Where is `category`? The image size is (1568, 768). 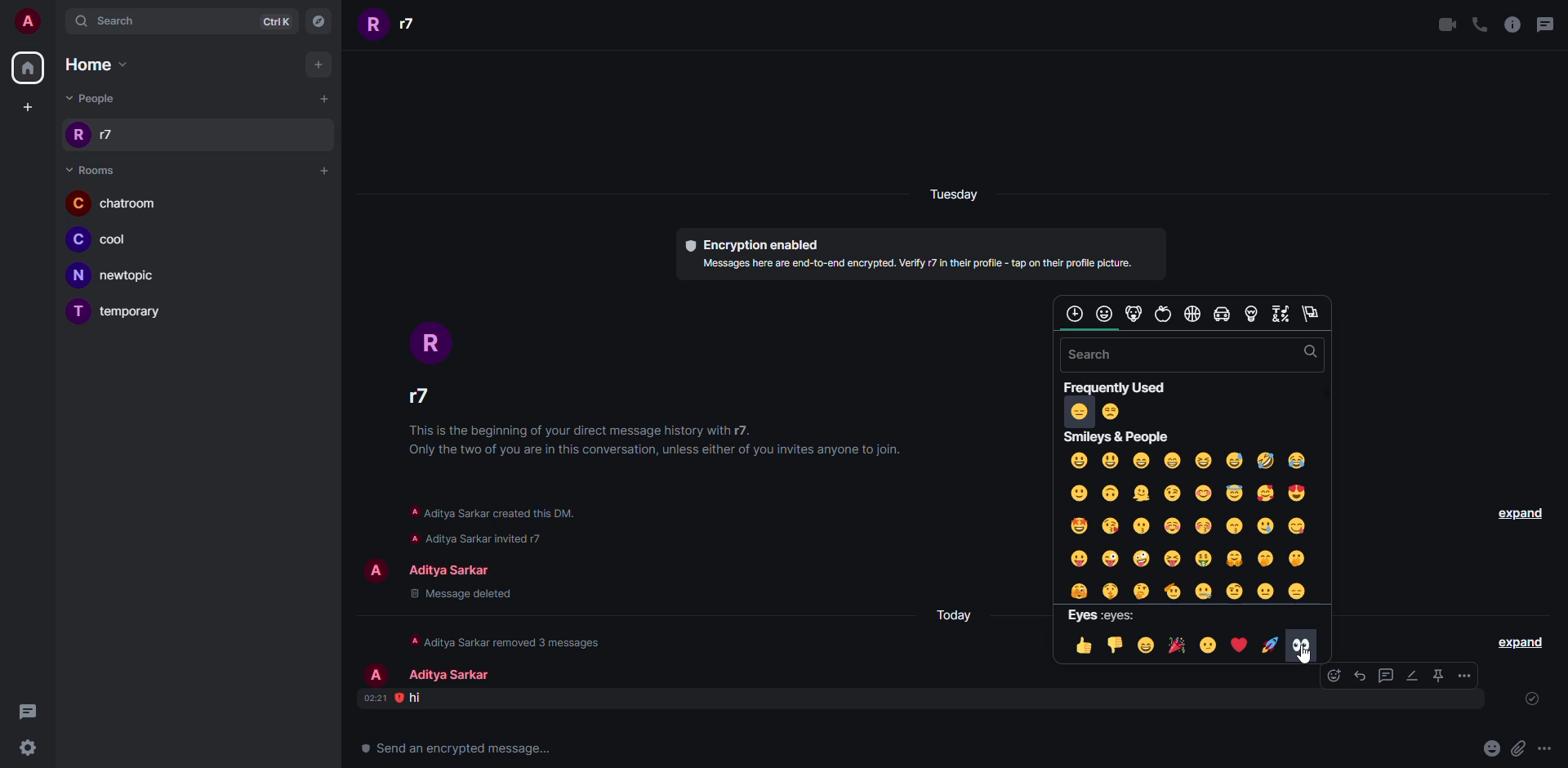 category is located at coordinates (1135, 312).